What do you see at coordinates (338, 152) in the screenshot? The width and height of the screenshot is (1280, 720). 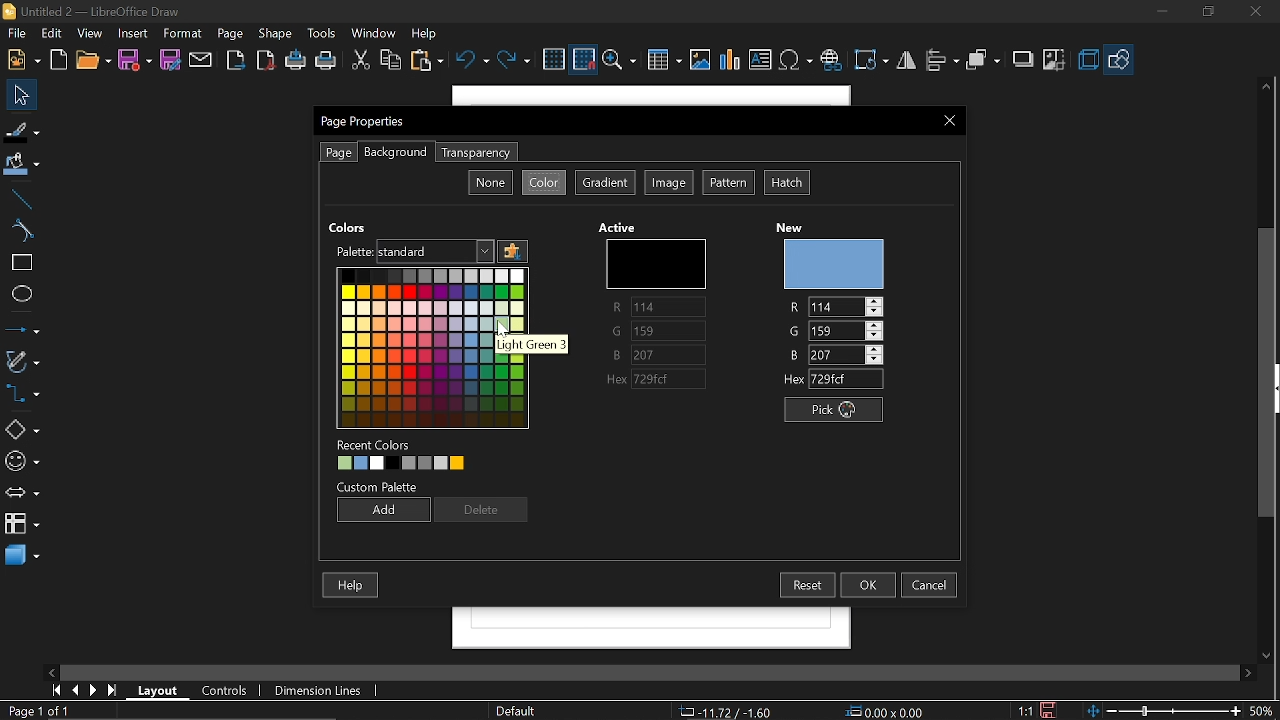 I see `Page` at bounding box center [338, 152].